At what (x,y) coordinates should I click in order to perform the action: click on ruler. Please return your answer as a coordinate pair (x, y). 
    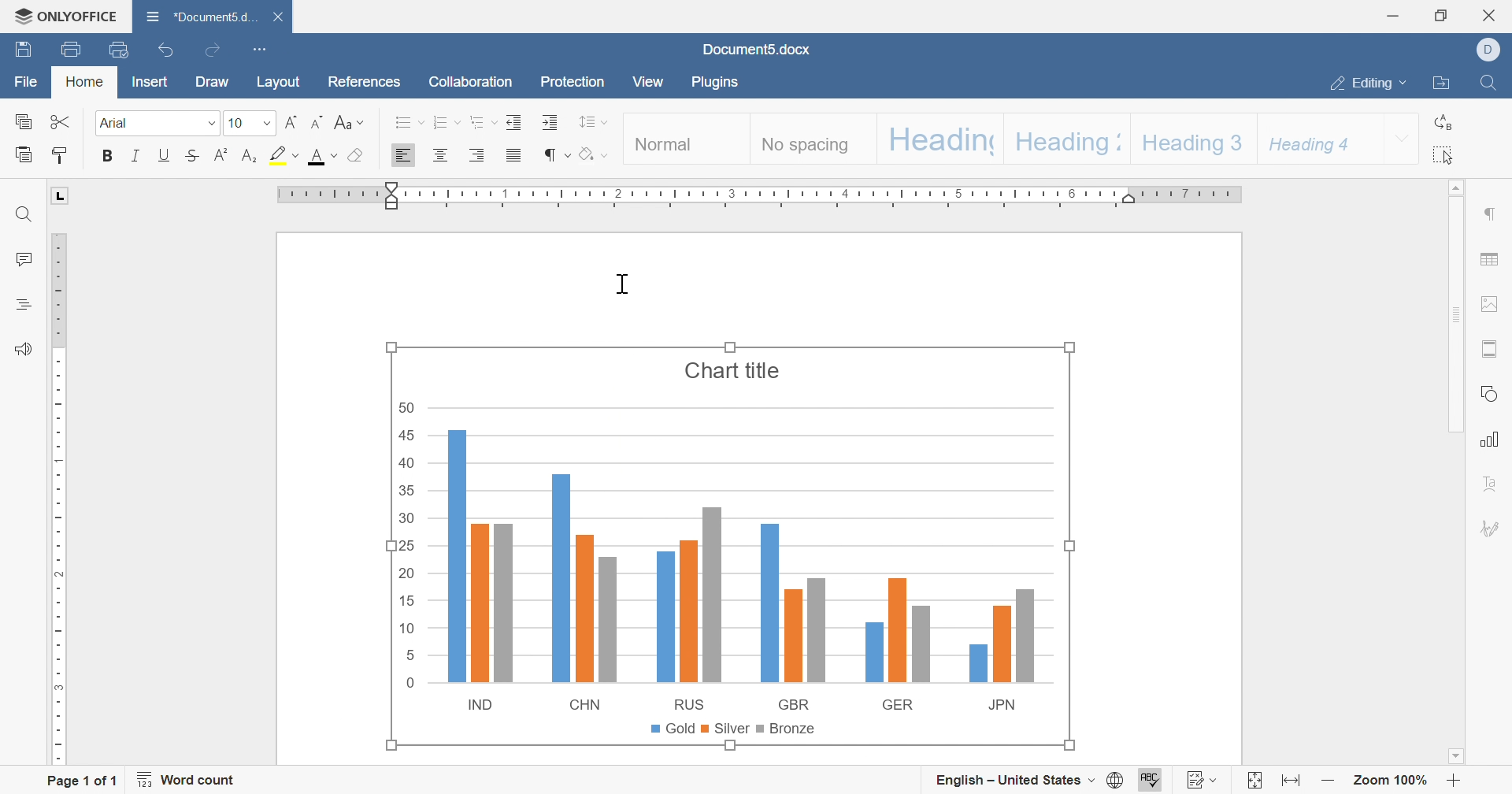
    Looking at the image, I should click on (761, 195).